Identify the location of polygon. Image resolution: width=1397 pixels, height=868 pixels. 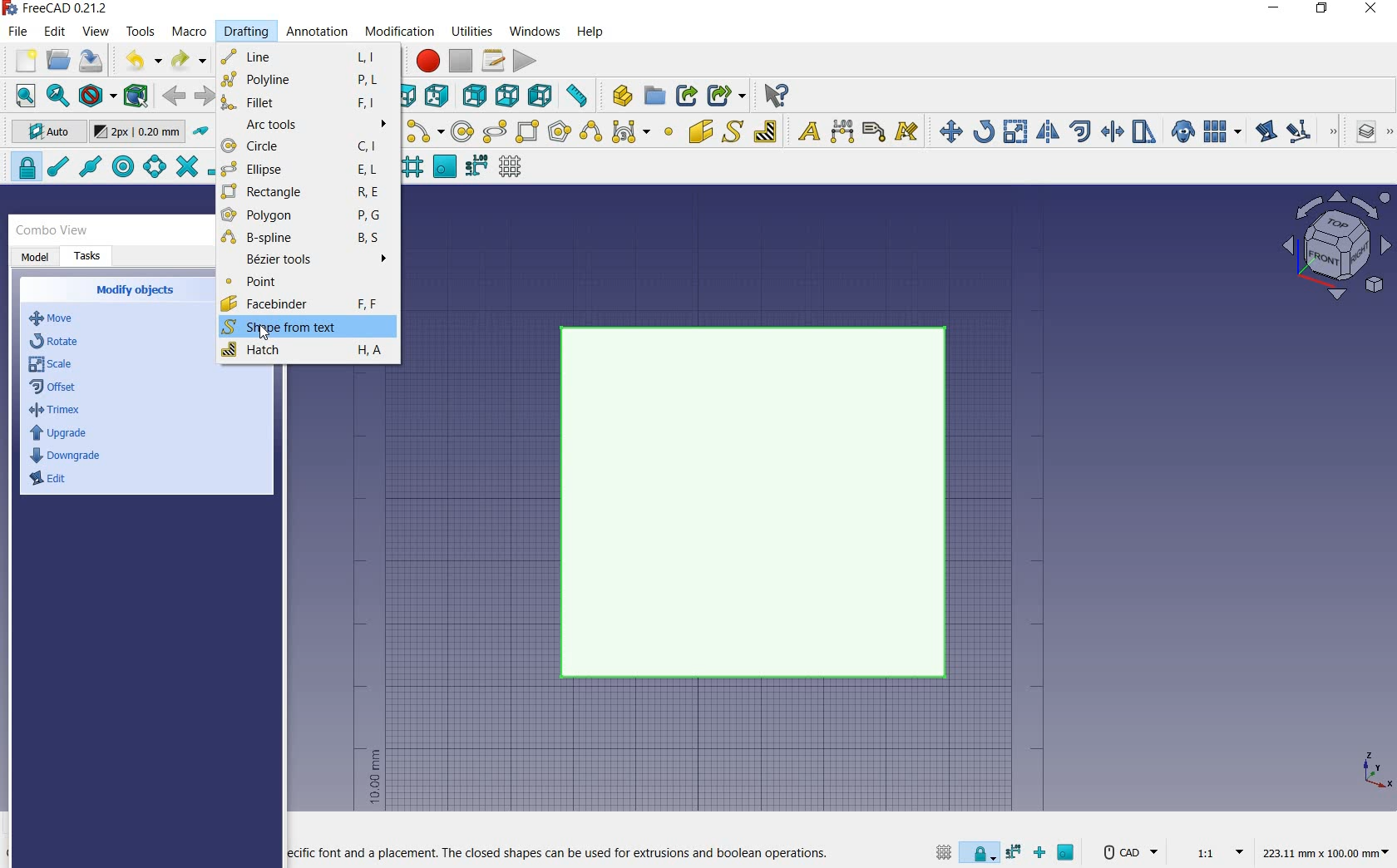
(560, 131).